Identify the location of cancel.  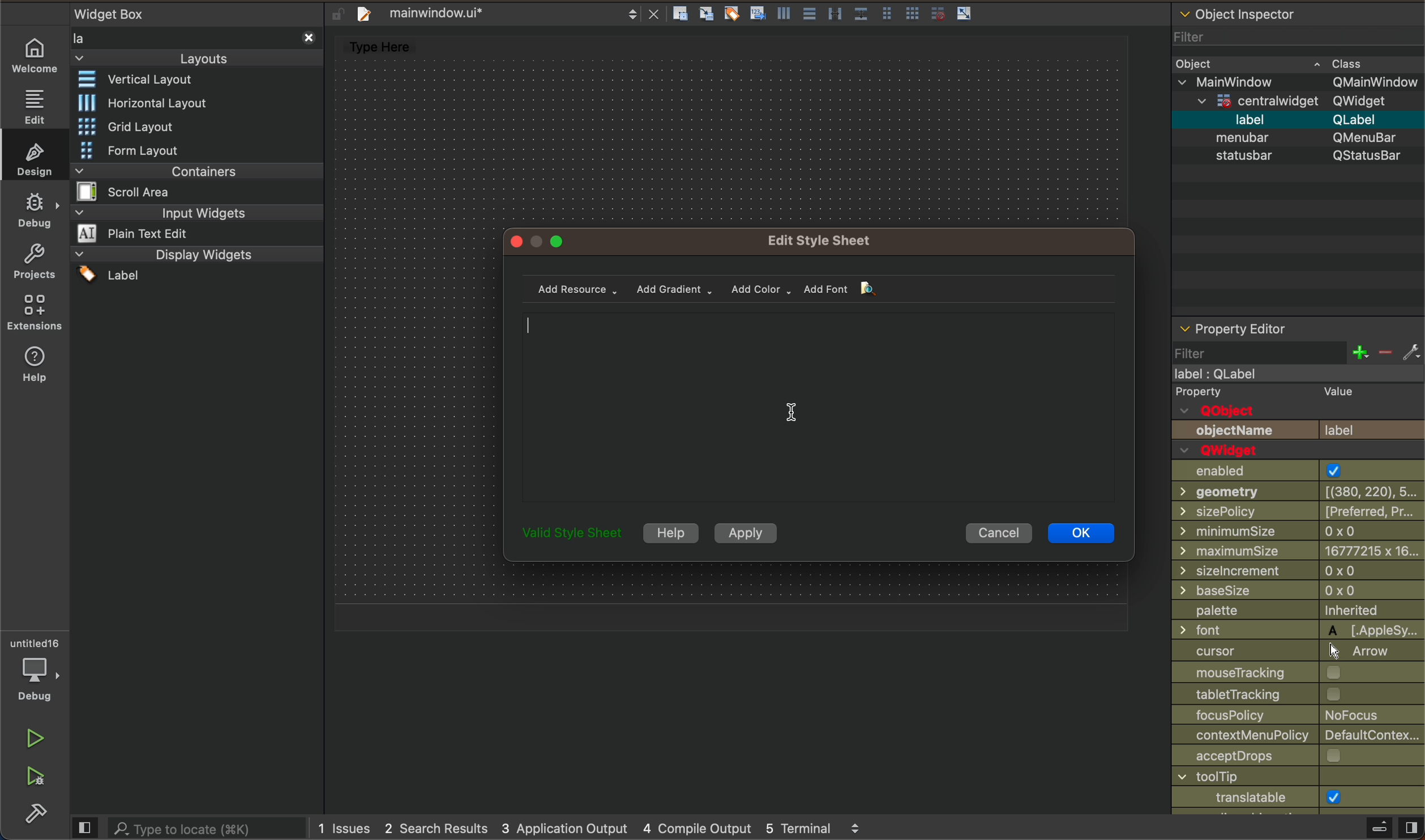
(1000, 535).